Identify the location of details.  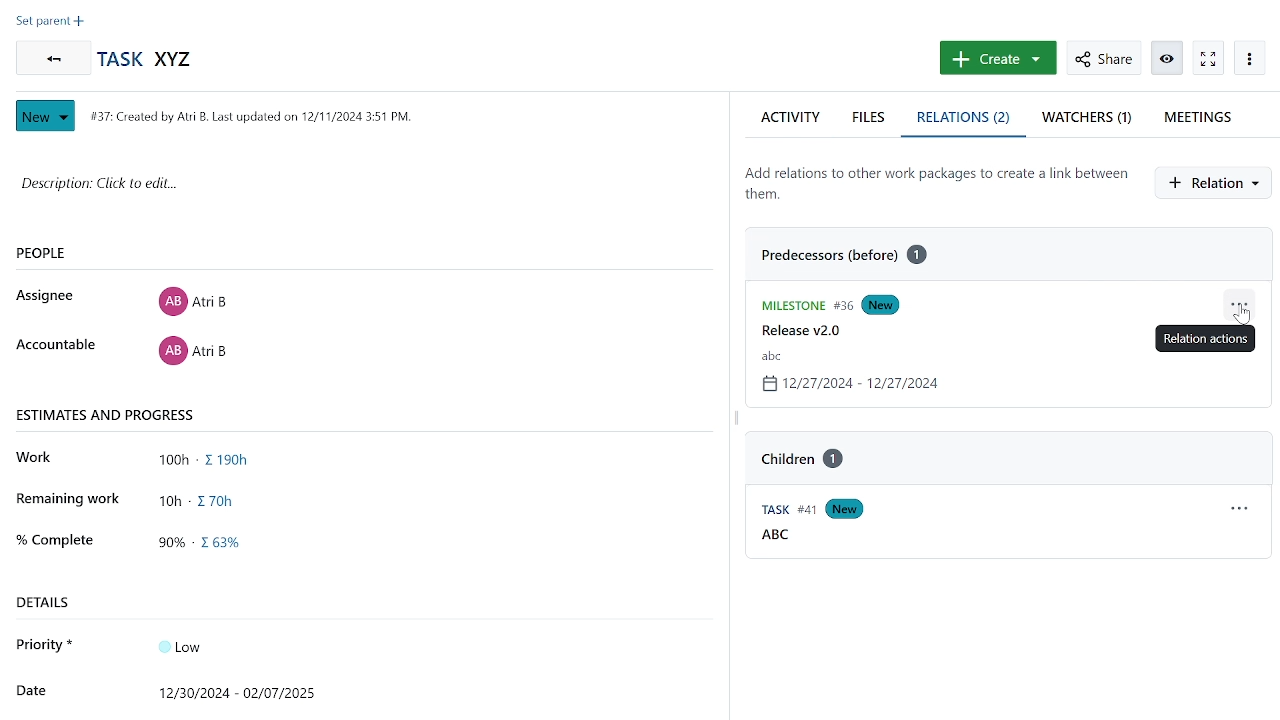
(51, 602).